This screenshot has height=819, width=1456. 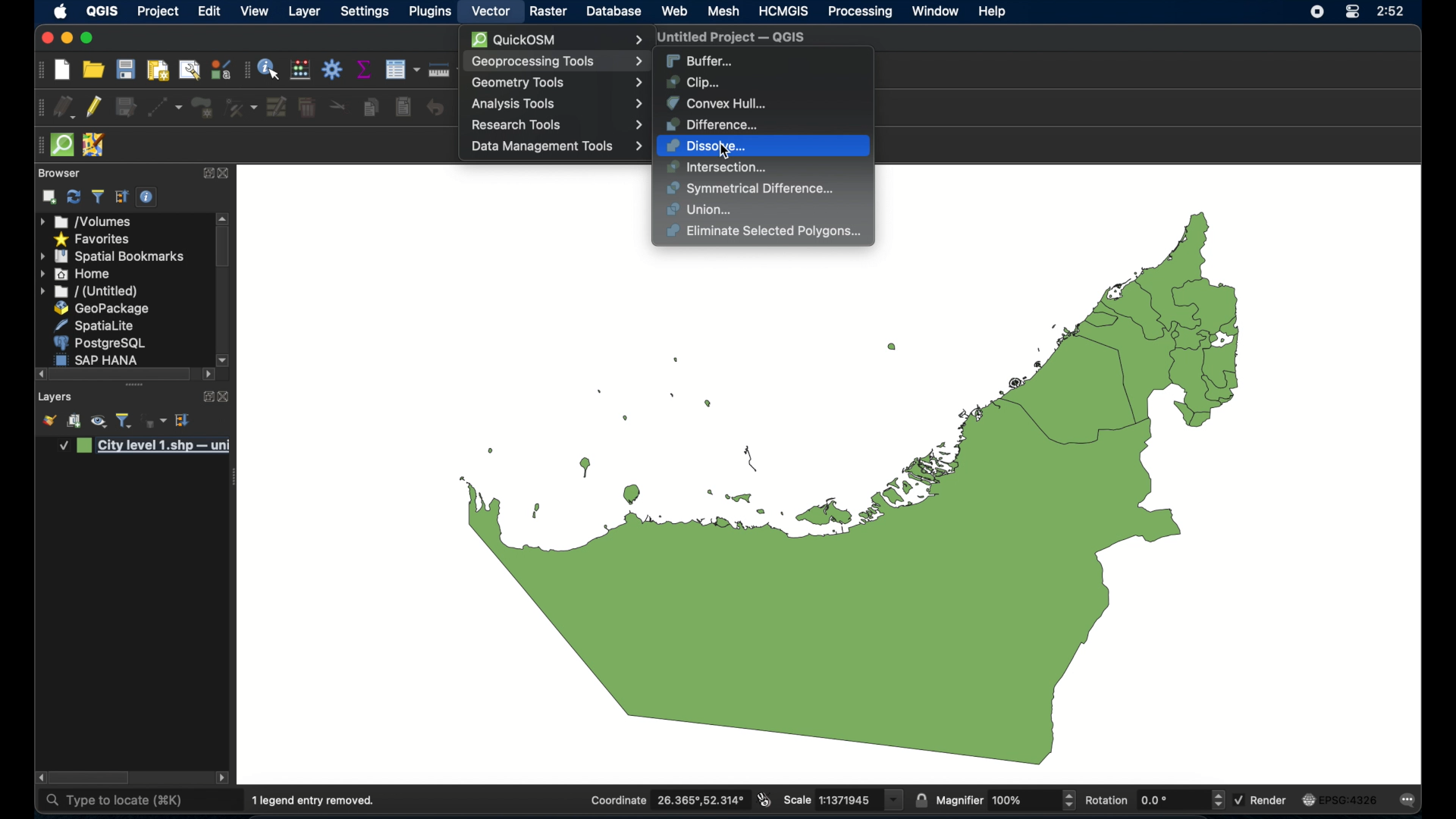 I want to click on buffer, so click(x=700, y=59).